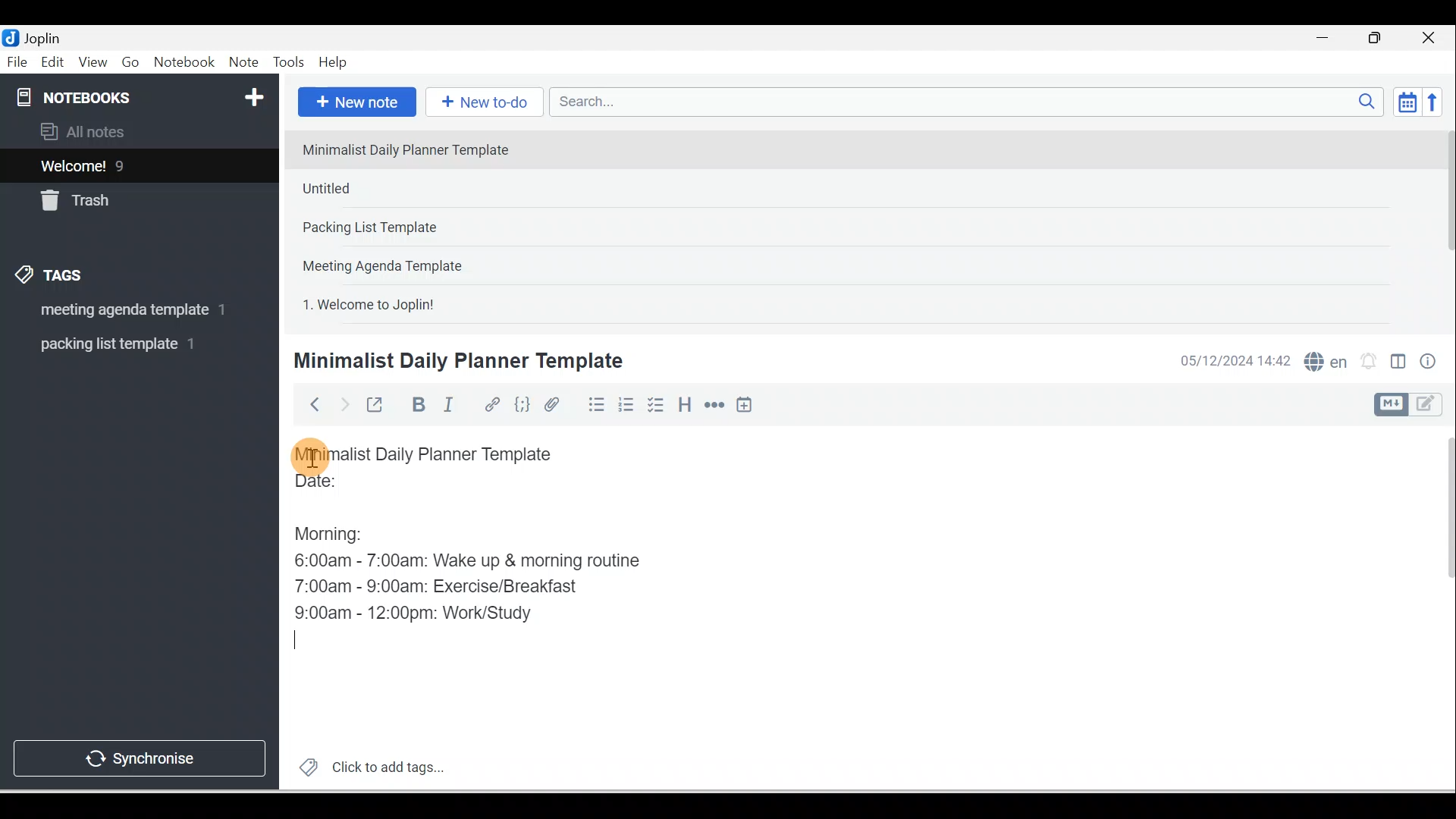 The height and width of the screenshot is (819, 1456). Describe the element at coordinates (1429, 363) in the screenshot. I see `Note properties` at that location.